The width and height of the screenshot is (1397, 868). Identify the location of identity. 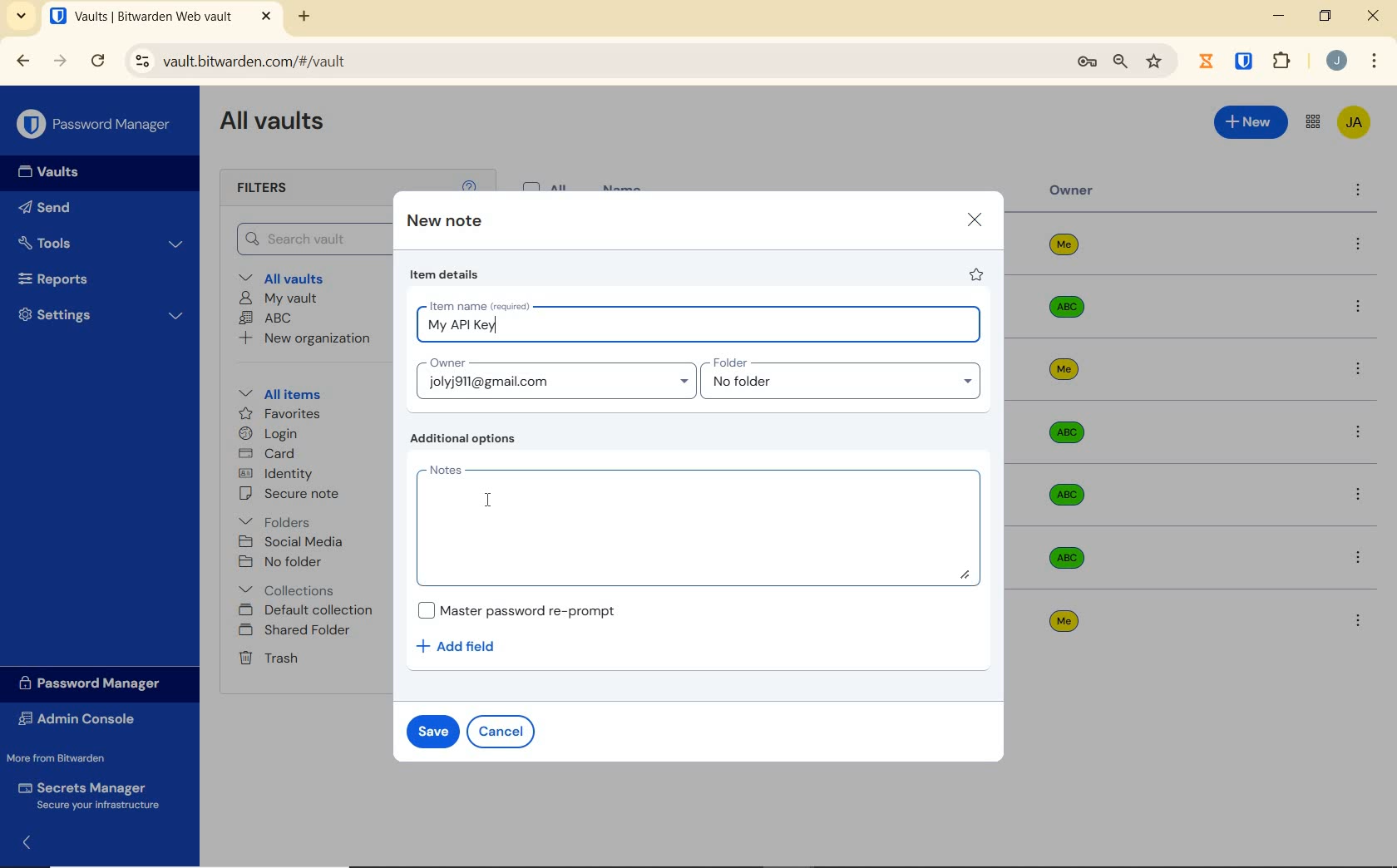
(279, 474).